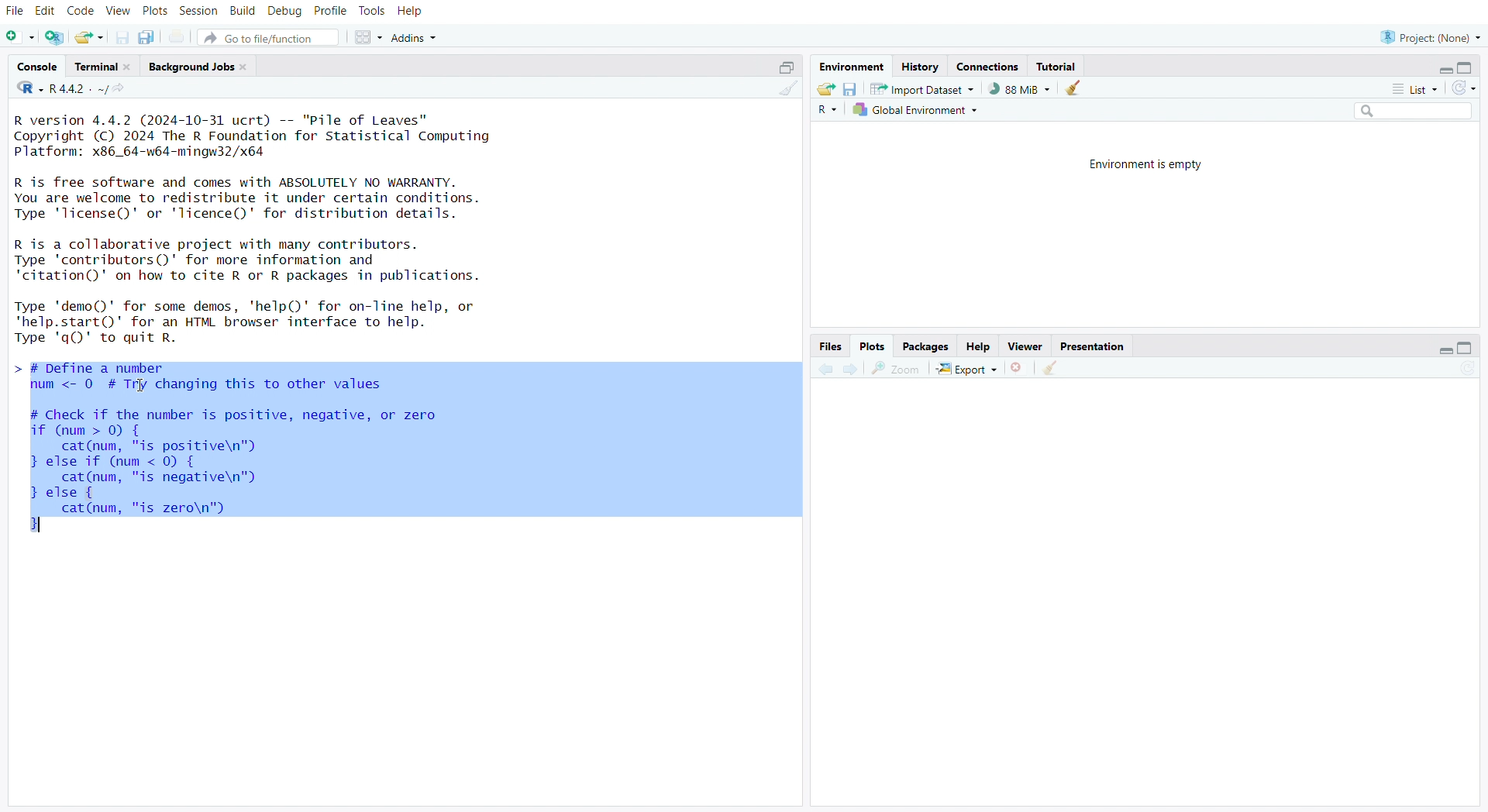 The height and width of the screenshot is (812, 1488). What do you see at coordinates (1027, 347) in the screenshot?
I see `viewer` at bounding box center [1027, 347].